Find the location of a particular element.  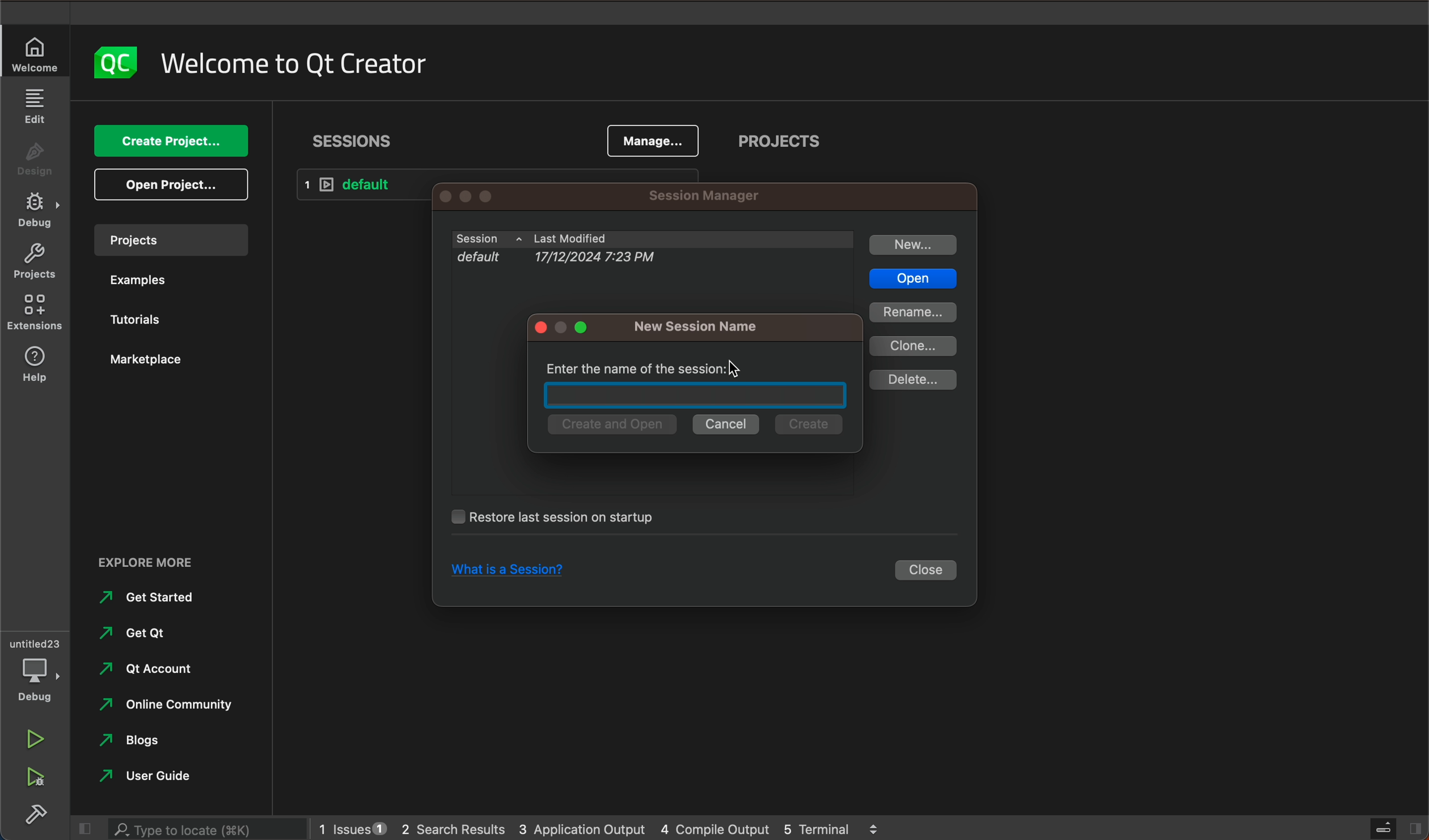

create project is located at coordinates (174, 142).